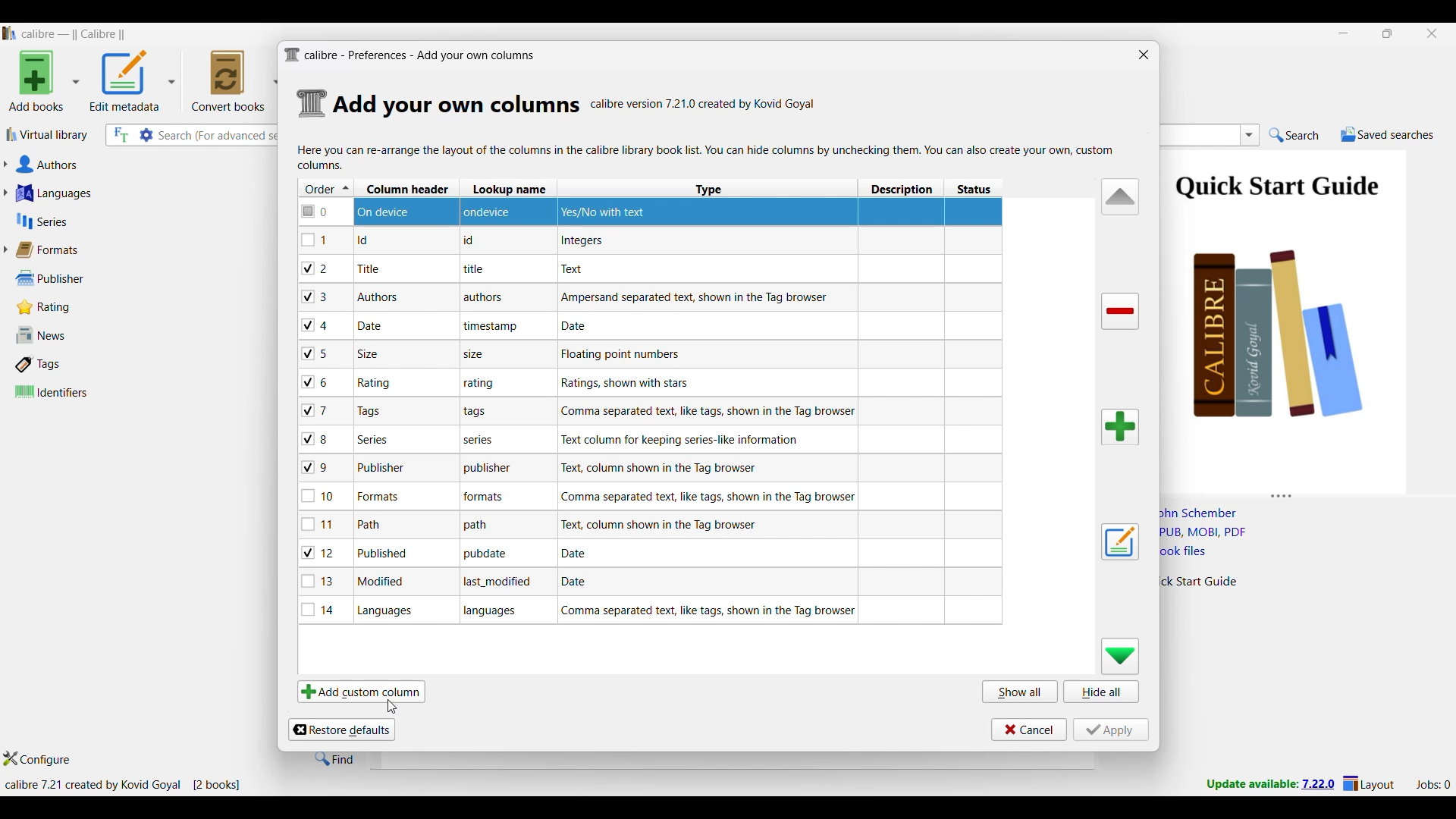 Image resolution: width=1456 pixels, height=819 pixels. Describe the element at coordinates (1021, 691) in the screenshot. I see `Show all` at that location.